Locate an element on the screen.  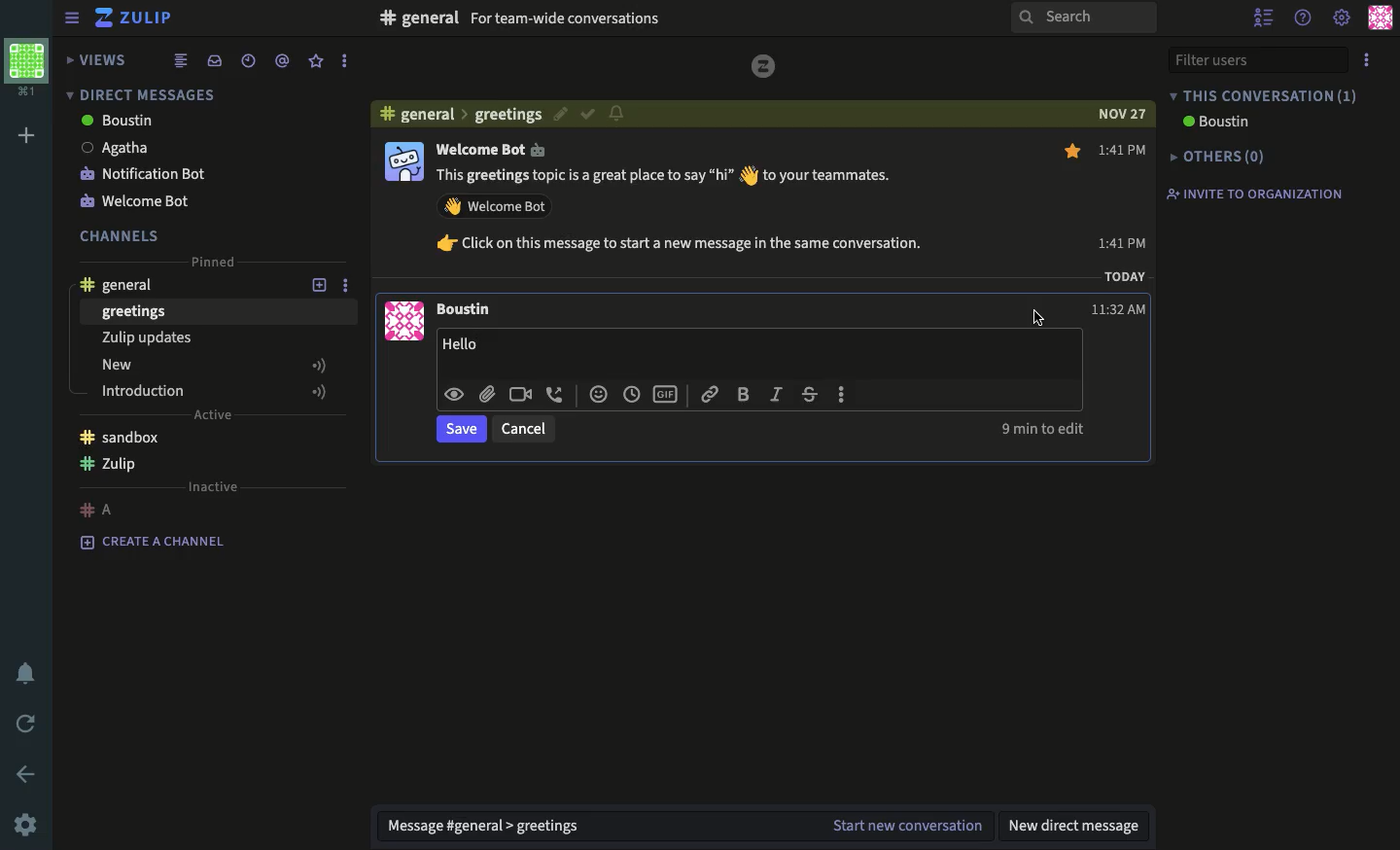
Zulip is located at coordinates (136, 20).